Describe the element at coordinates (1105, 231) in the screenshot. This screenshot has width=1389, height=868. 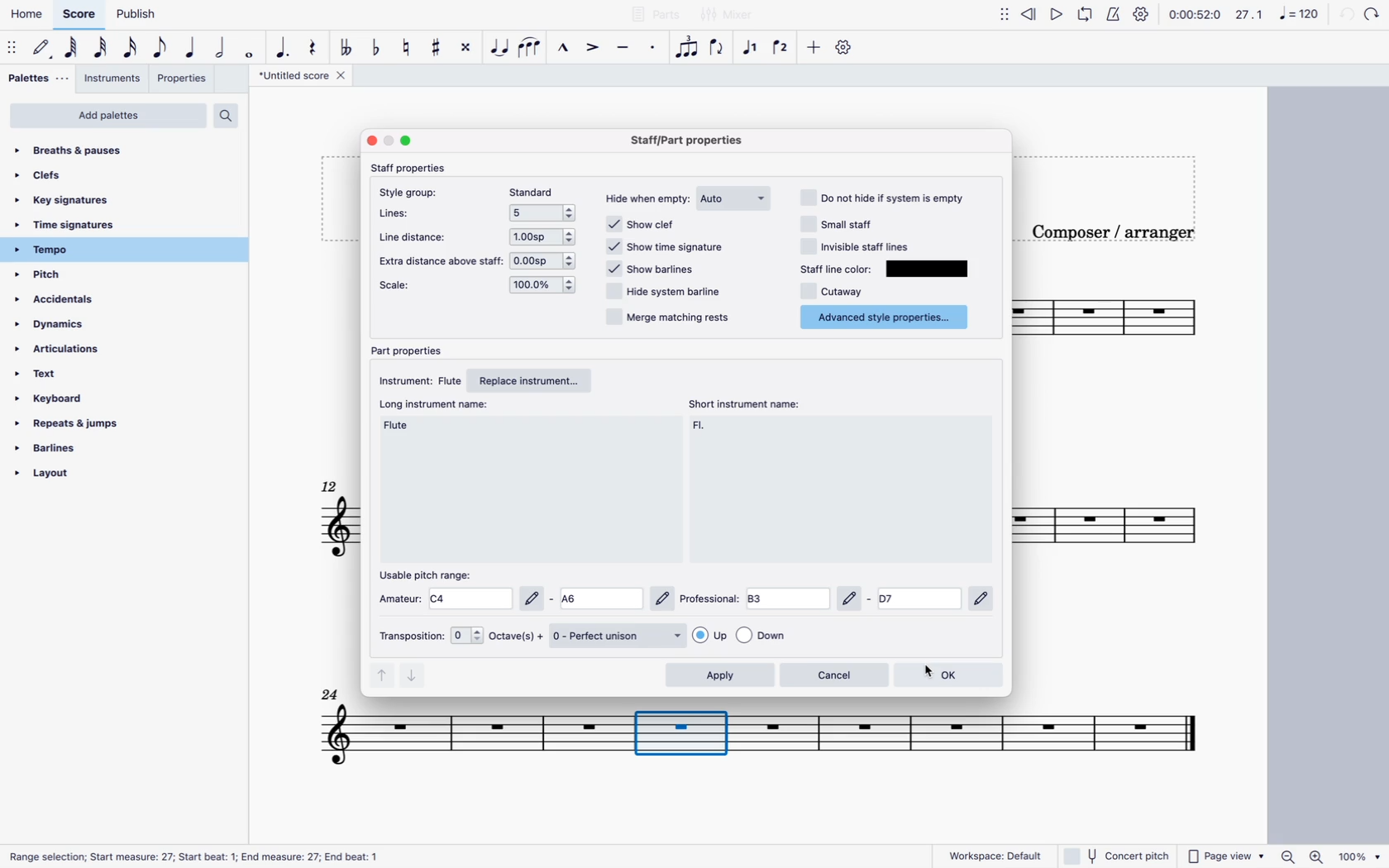
I see `composer / arranger` at that location.